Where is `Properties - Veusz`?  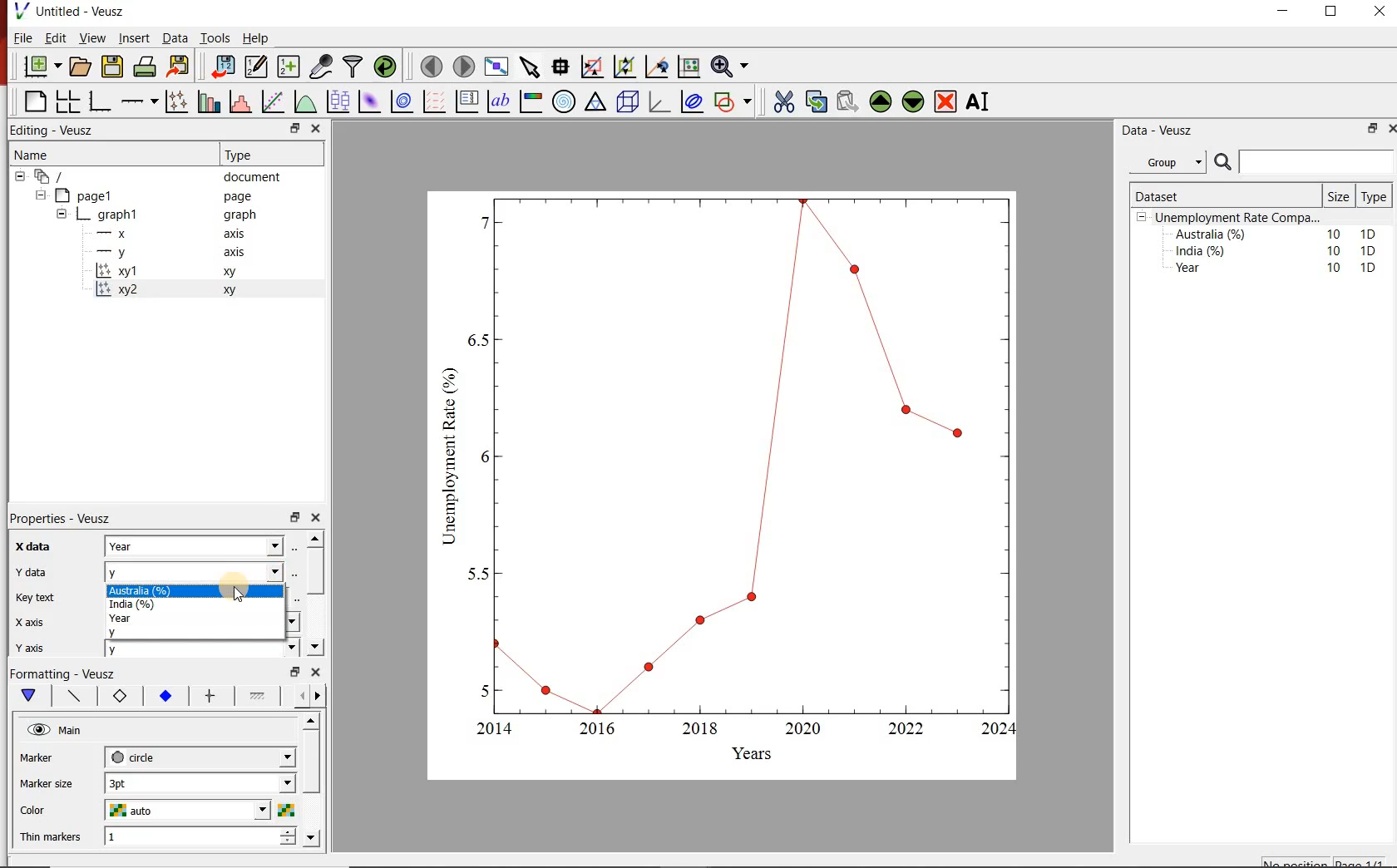 Properties - Veusz is located at coordinates (63, 520).